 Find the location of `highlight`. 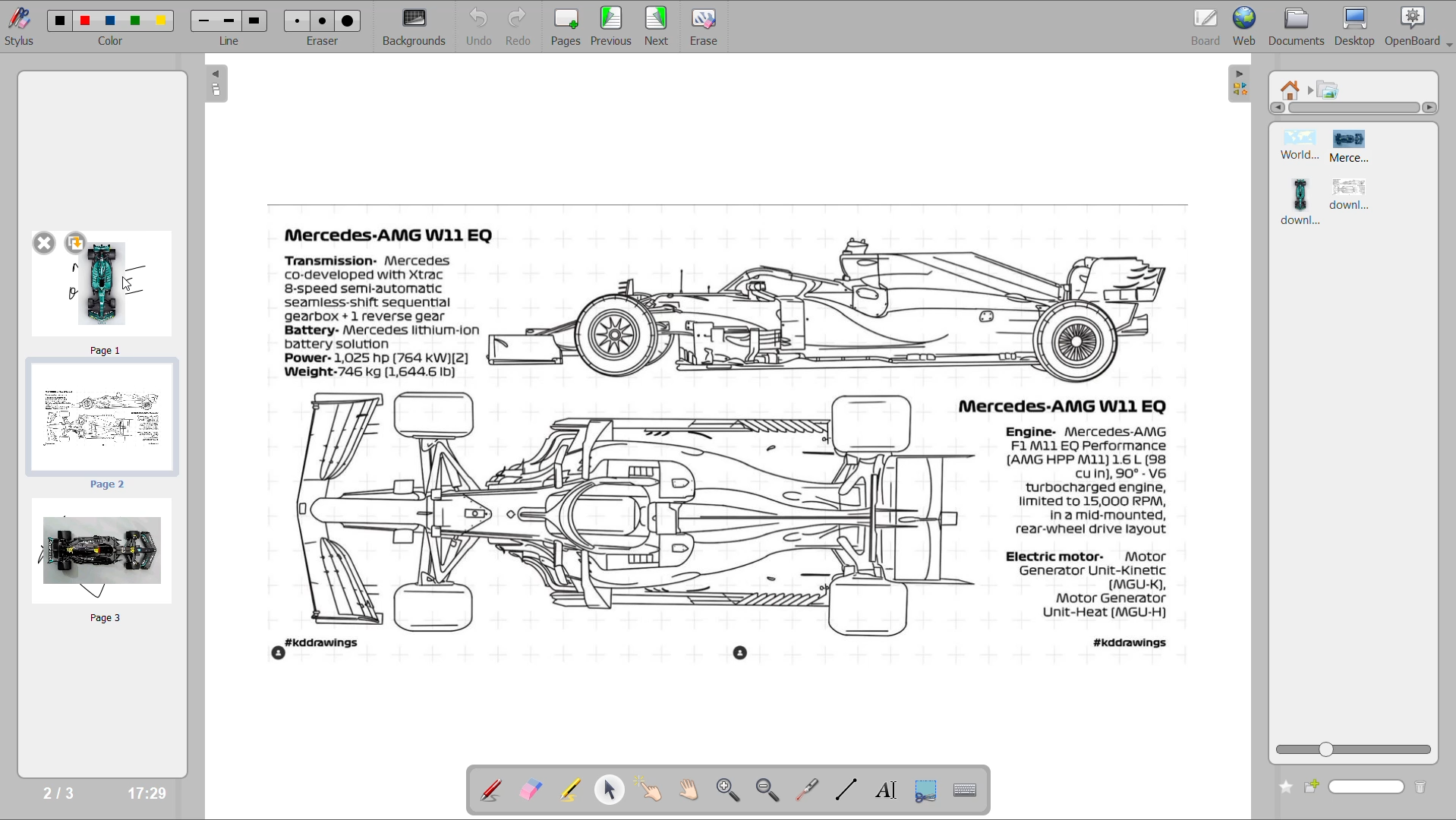

highlight is located at coordinates (567, 788).